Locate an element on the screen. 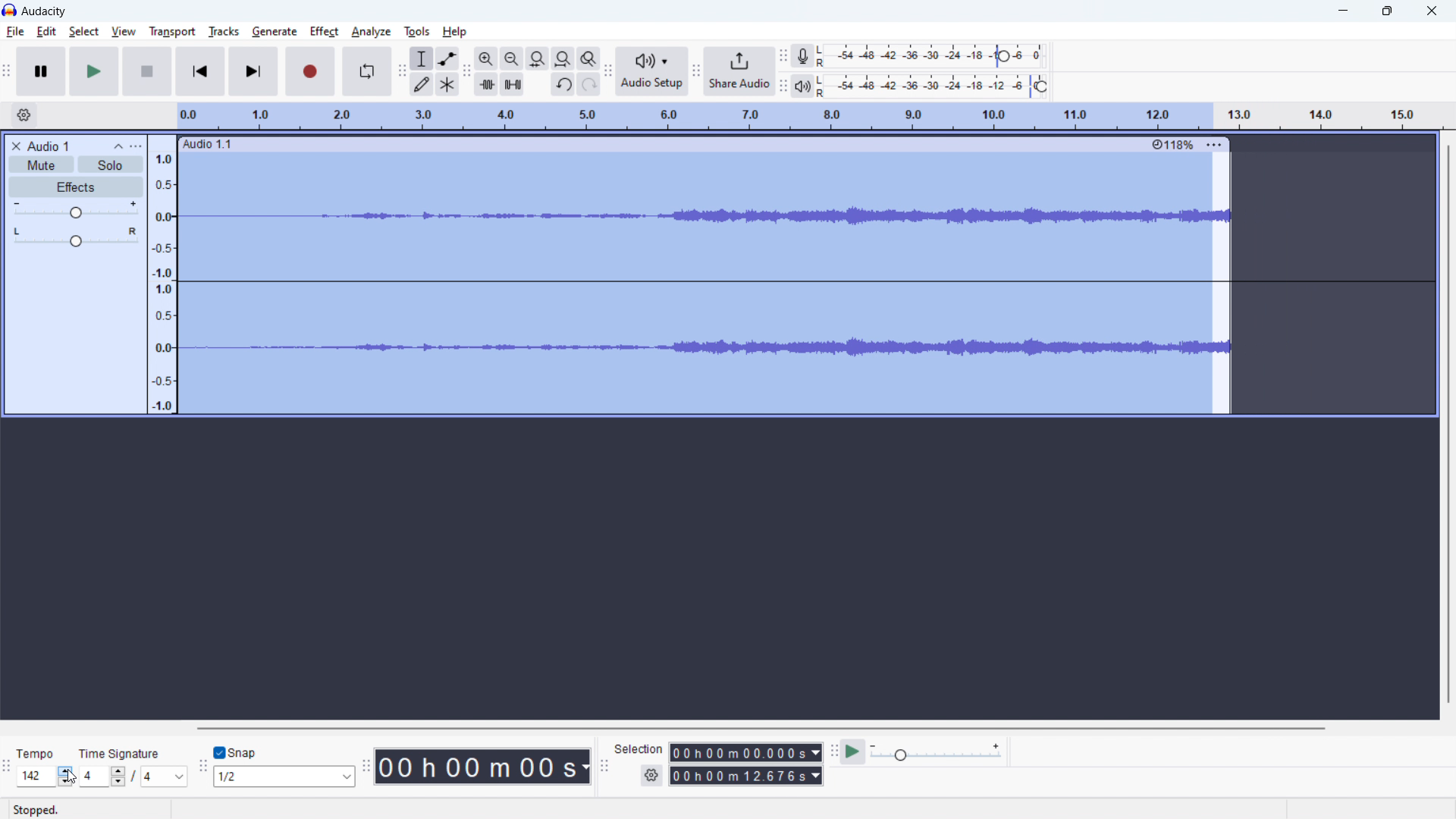 The image size is (1456, 819). percentage change is located at coordinates (1172, 145).